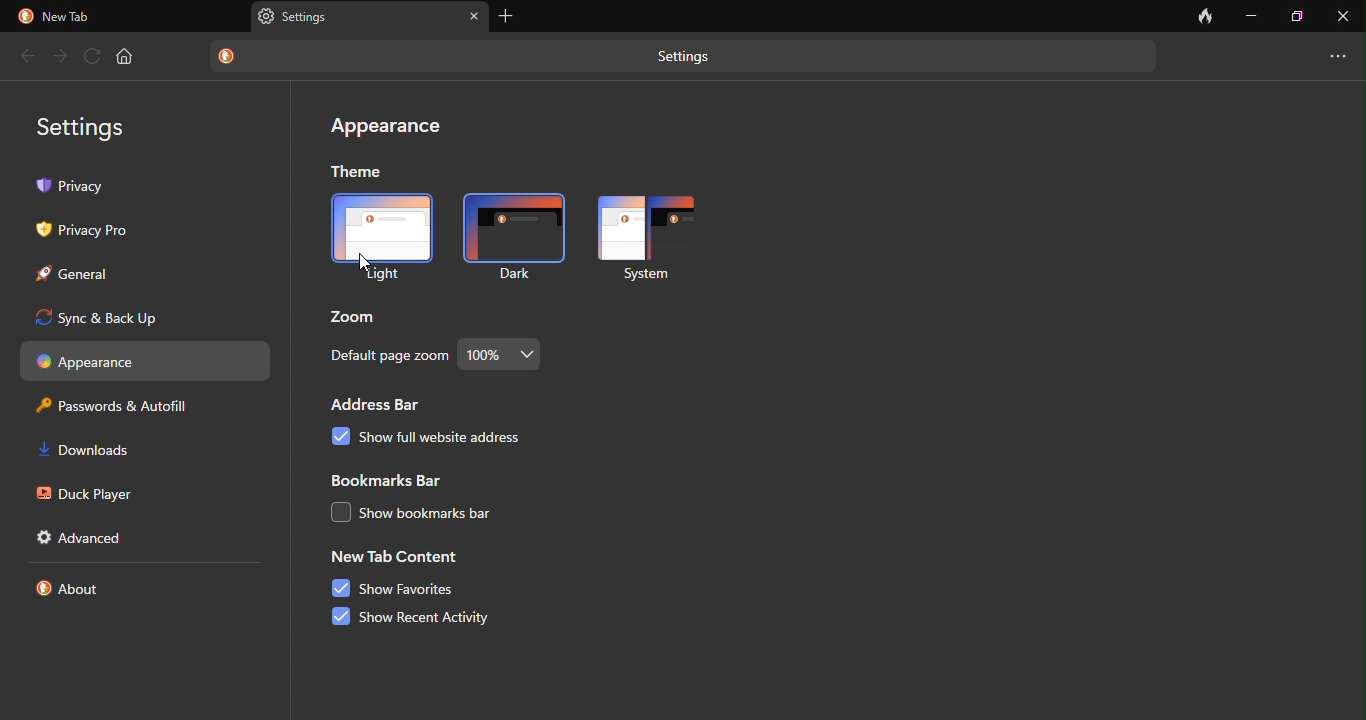 The height and width of the screenshot is (720, 1366). What do you see at coordinates (311, 16) in the screenshot?
I see `tab name- settings` at bounding box center [311, 16].